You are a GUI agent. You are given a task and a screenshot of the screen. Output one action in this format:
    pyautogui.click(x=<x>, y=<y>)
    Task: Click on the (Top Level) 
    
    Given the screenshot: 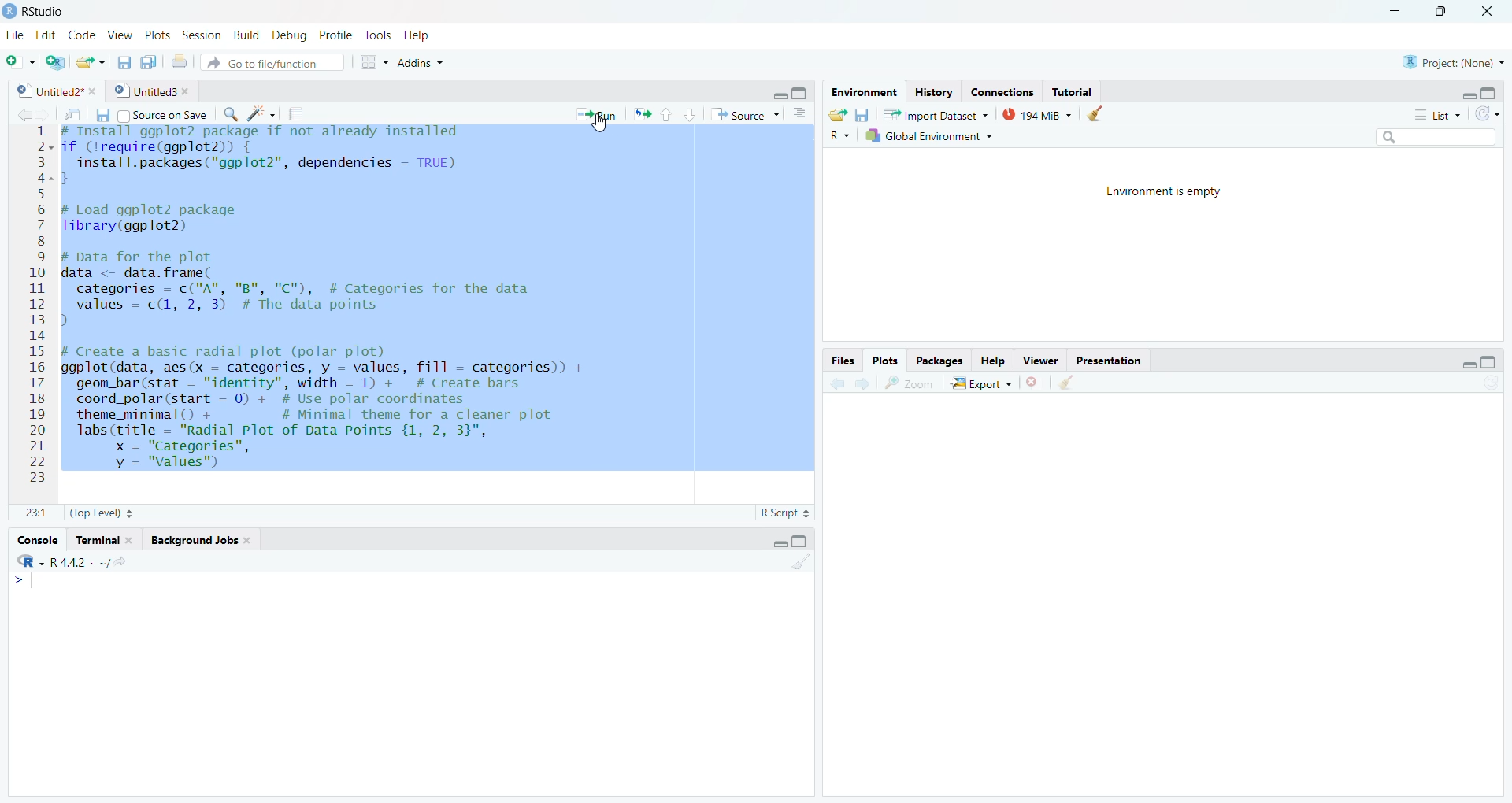 What is the action you would take?
    pyautogui.click(x=103, y=513)
    